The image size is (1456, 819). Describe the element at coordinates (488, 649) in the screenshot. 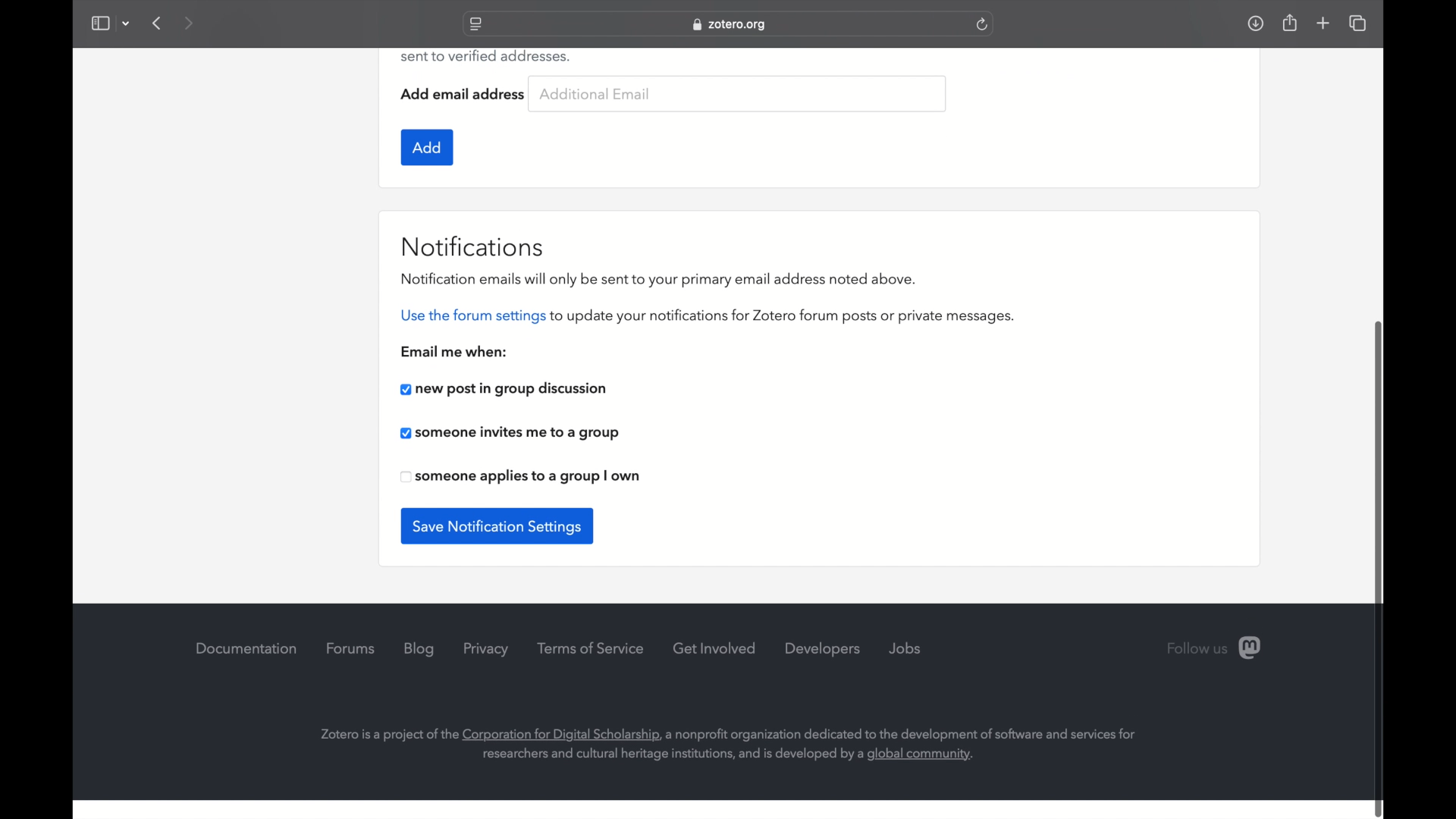

I see `privacy` at that location.